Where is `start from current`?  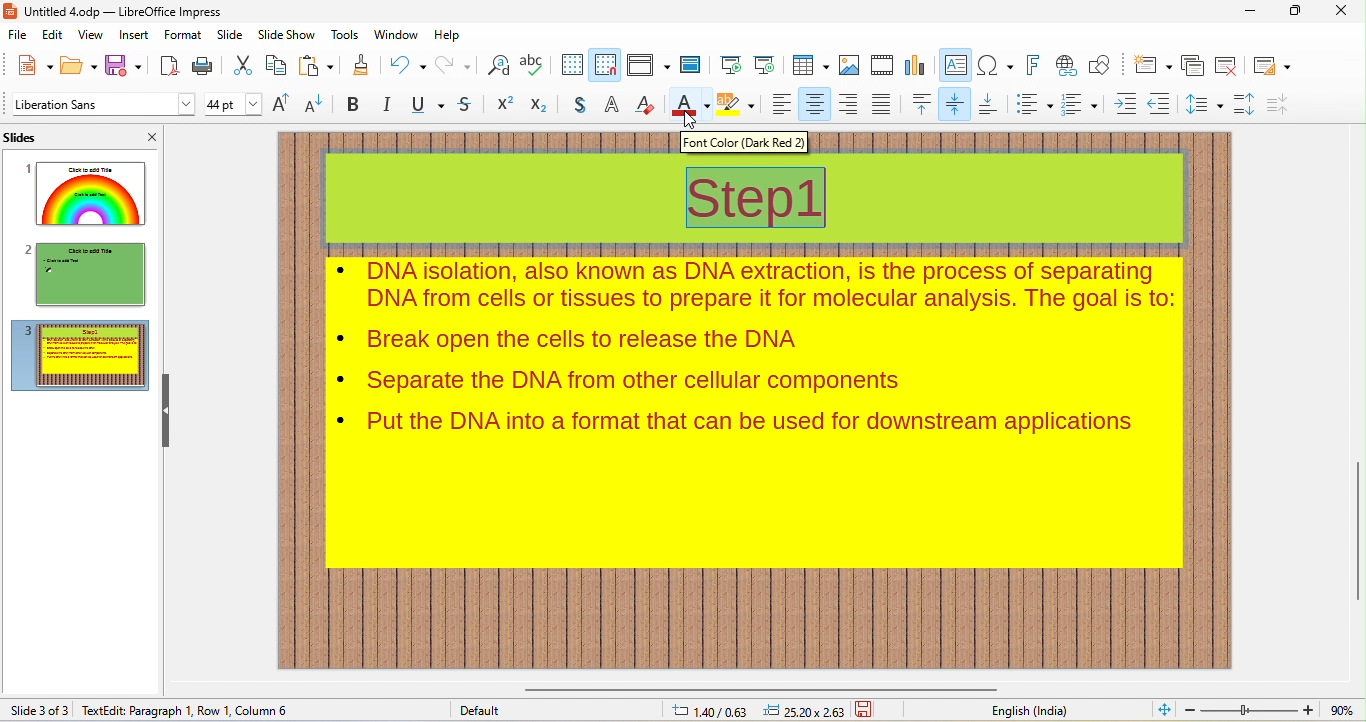 start from current is located at coordinates (764, 63).